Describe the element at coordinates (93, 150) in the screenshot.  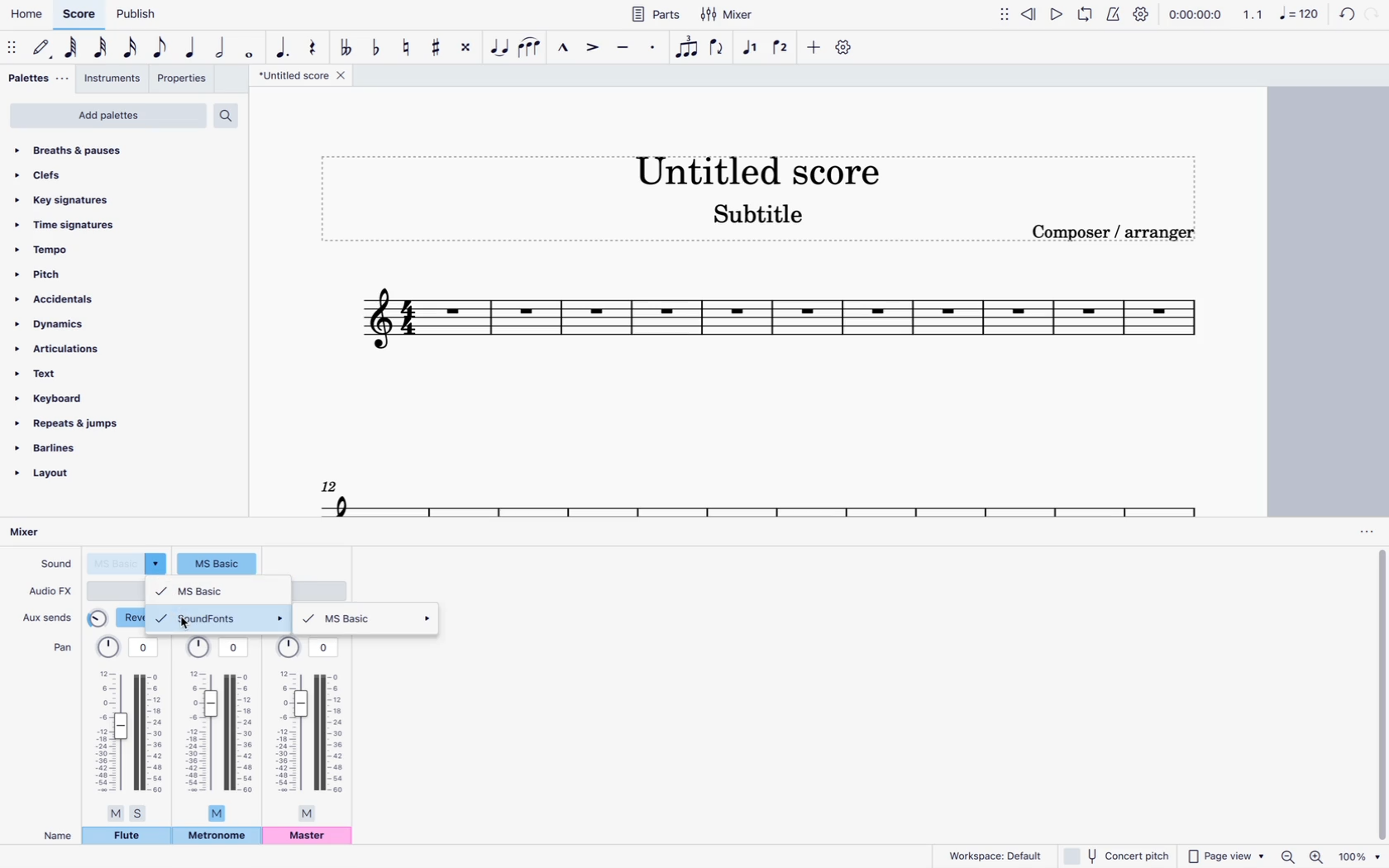
I see `breaths & pauses` at that location.